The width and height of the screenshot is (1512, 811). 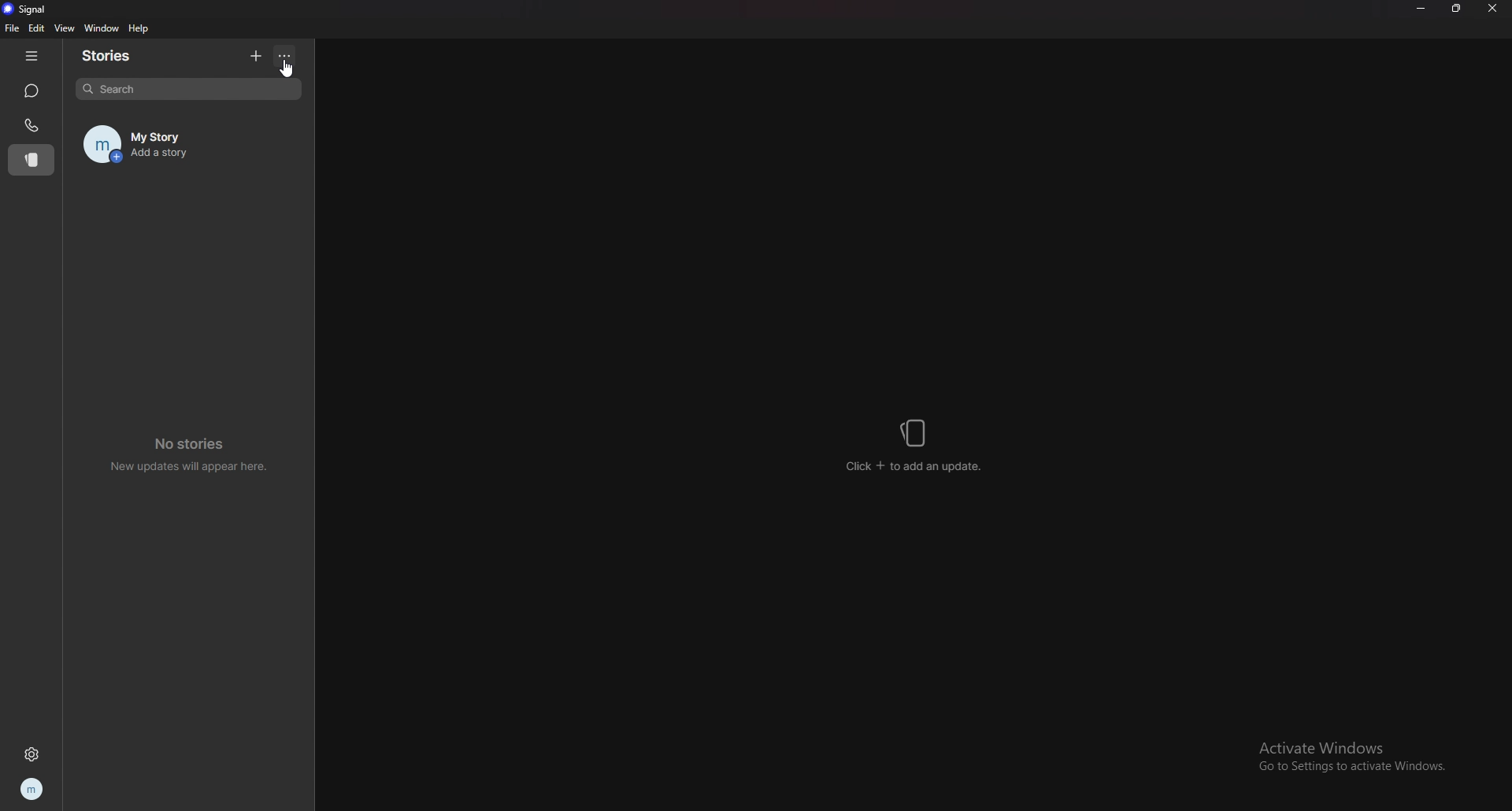 I want to click on chats, so click(x=32, y=91).